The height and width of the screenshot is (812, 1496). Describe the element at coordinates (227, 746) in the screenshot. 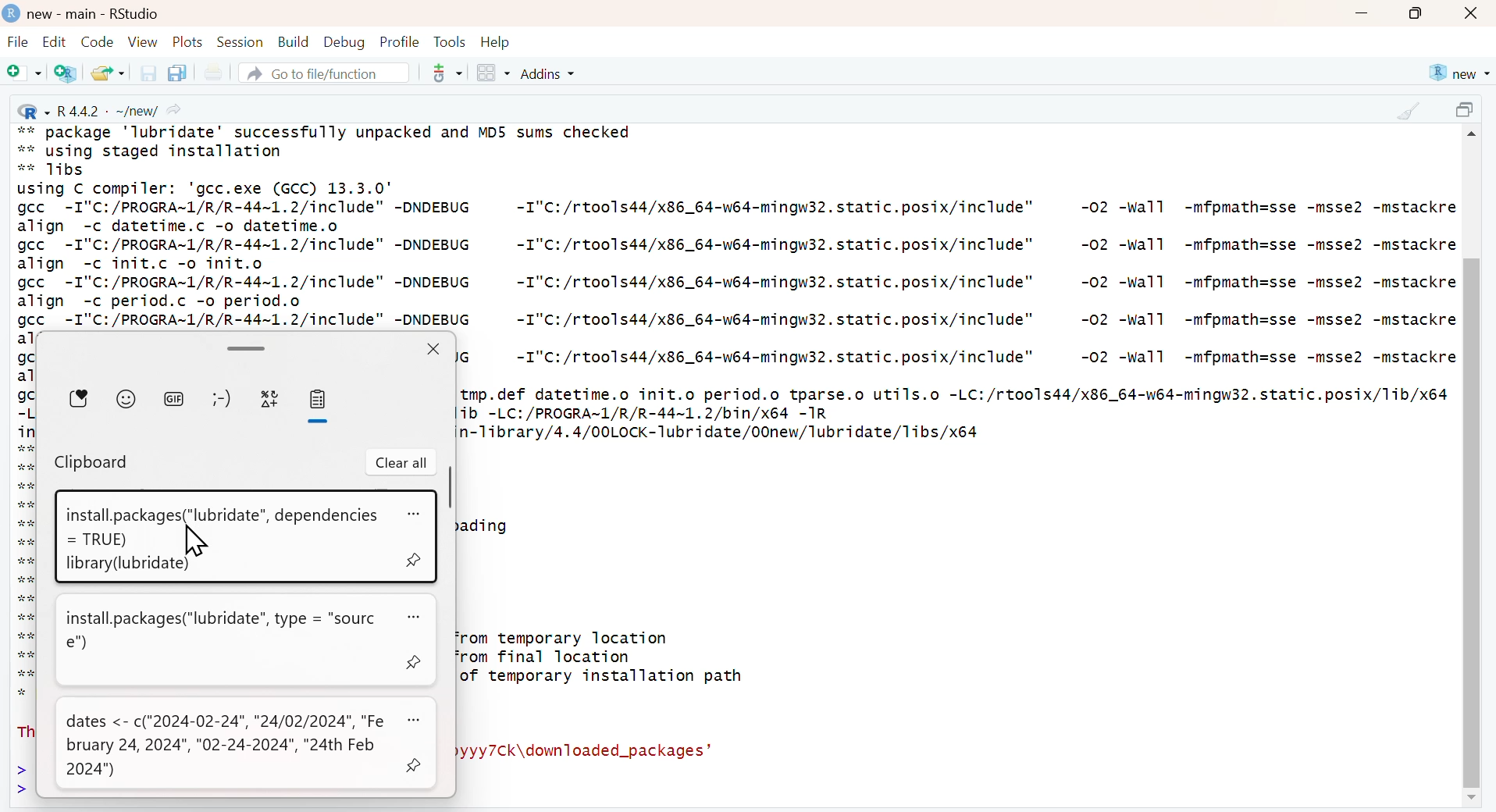

I see `dates <- ¢("2024-02-24", "24/02/2024", "Fe
bruary 24, 2024", "02-24-2024", "24th Feb
2024")` at that location.